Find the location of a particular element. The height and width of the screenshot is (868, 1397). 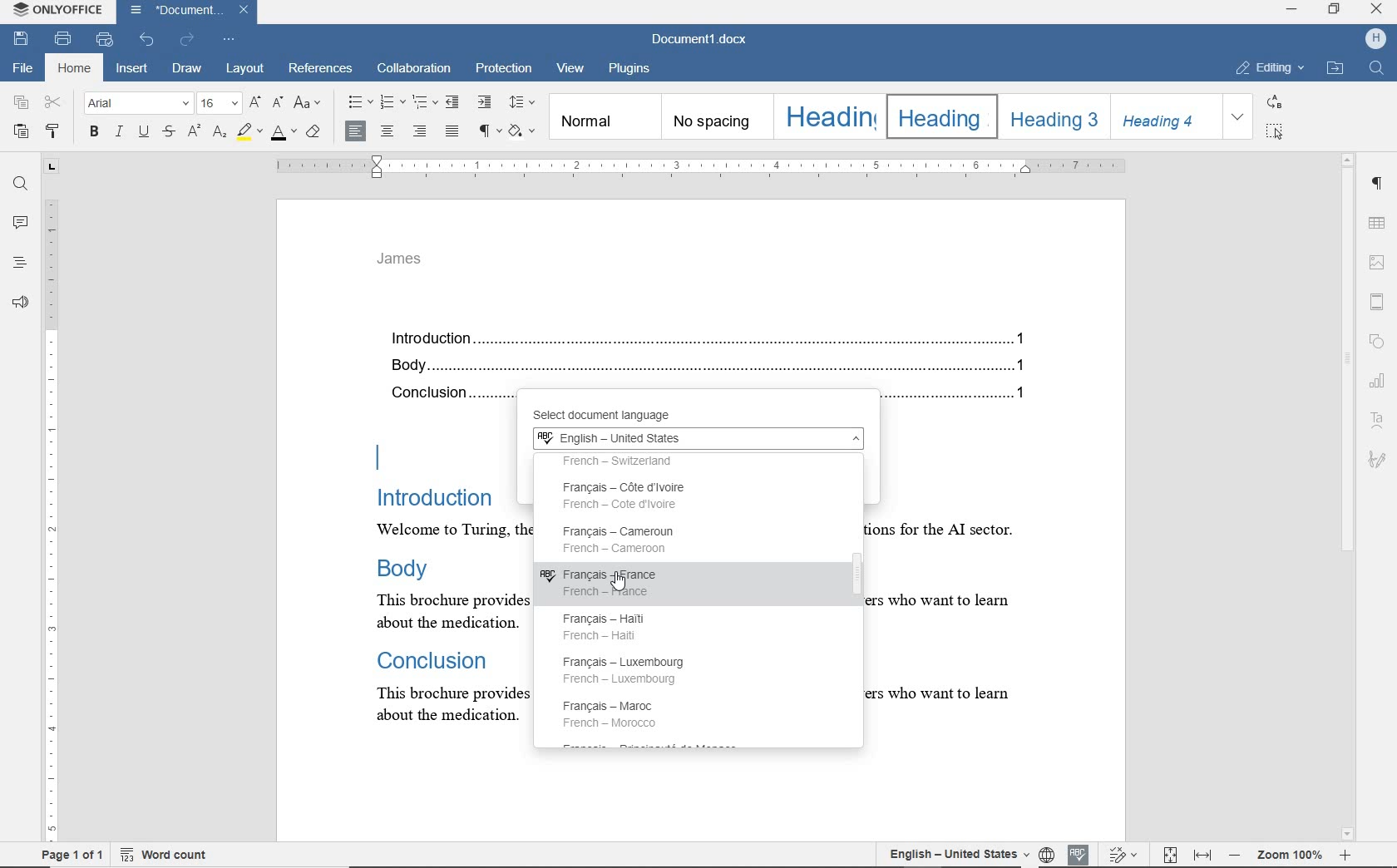

document name is located at coordinates (703, 37).